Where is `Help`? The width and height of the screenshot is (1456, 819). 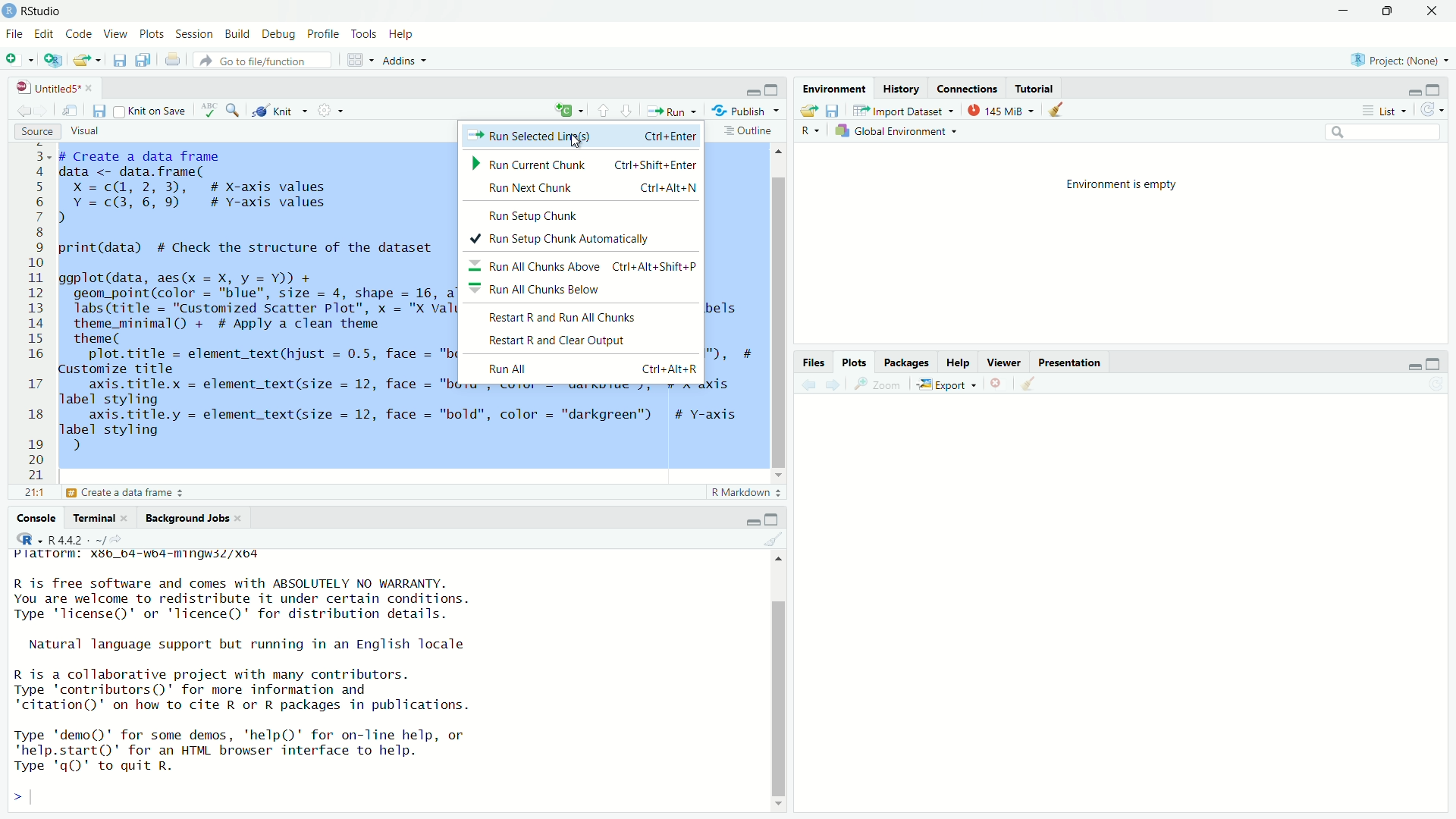
Help is located at coordinates (400, 33).